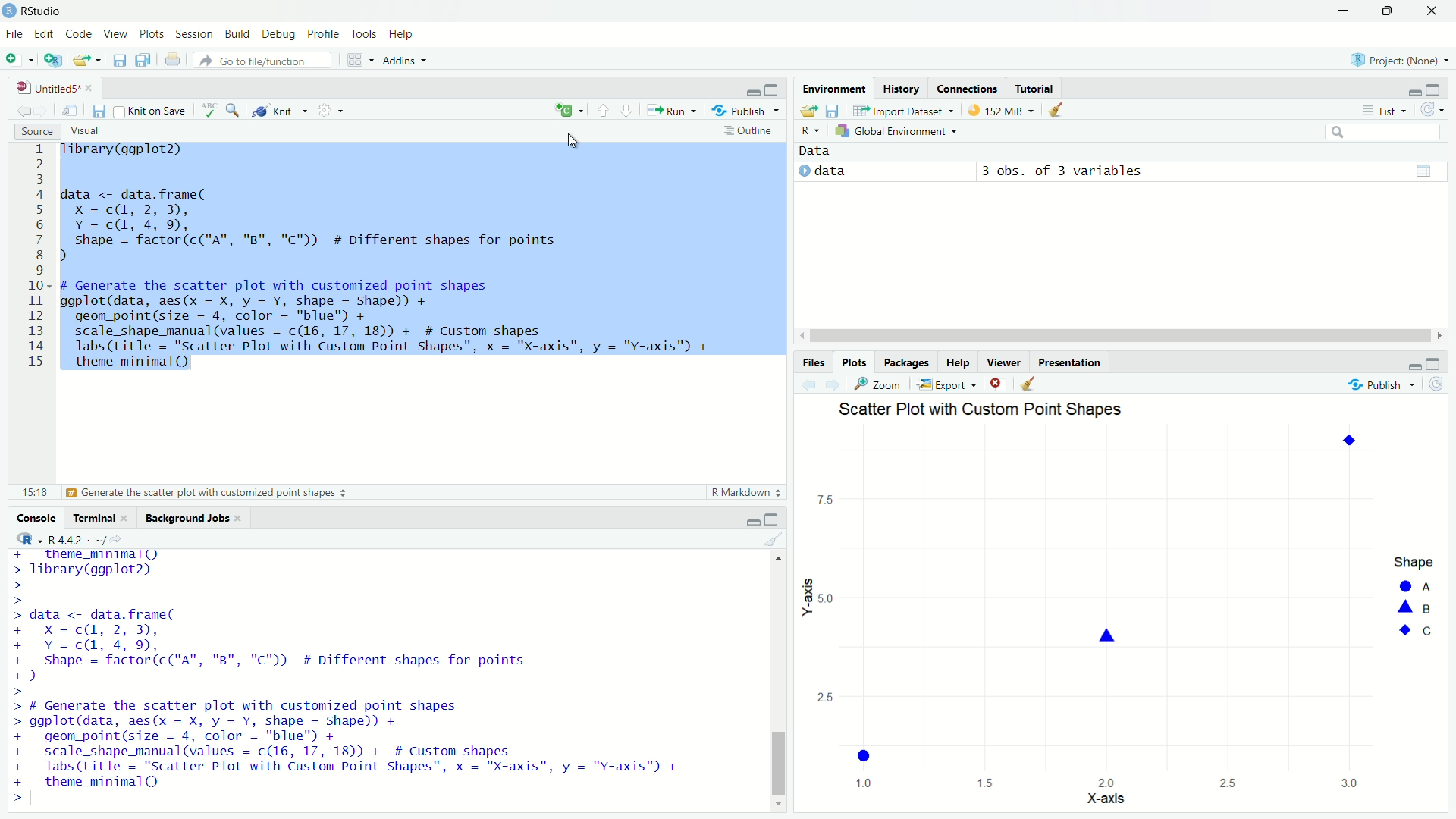 This screenshot has height=819, width=1456. What do you see at coordinates (173, 59) in the screenshot?
I see `Print the current file` at bounding box center [173, 59].